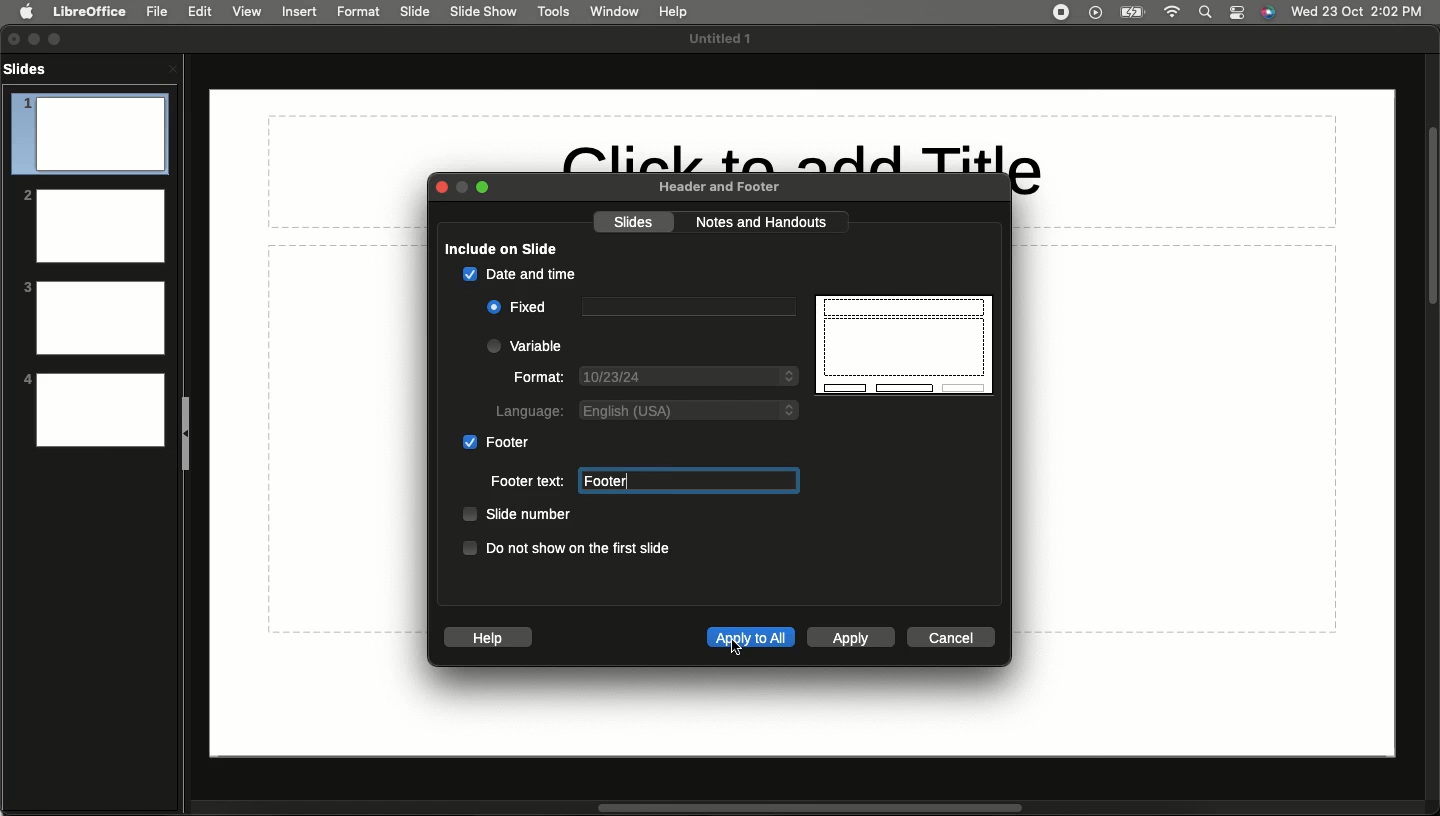 This screenshot has height=816, width=1440. Describe the element at coordinates (31, 68) in the screenshot. I see `Slides` at that location.